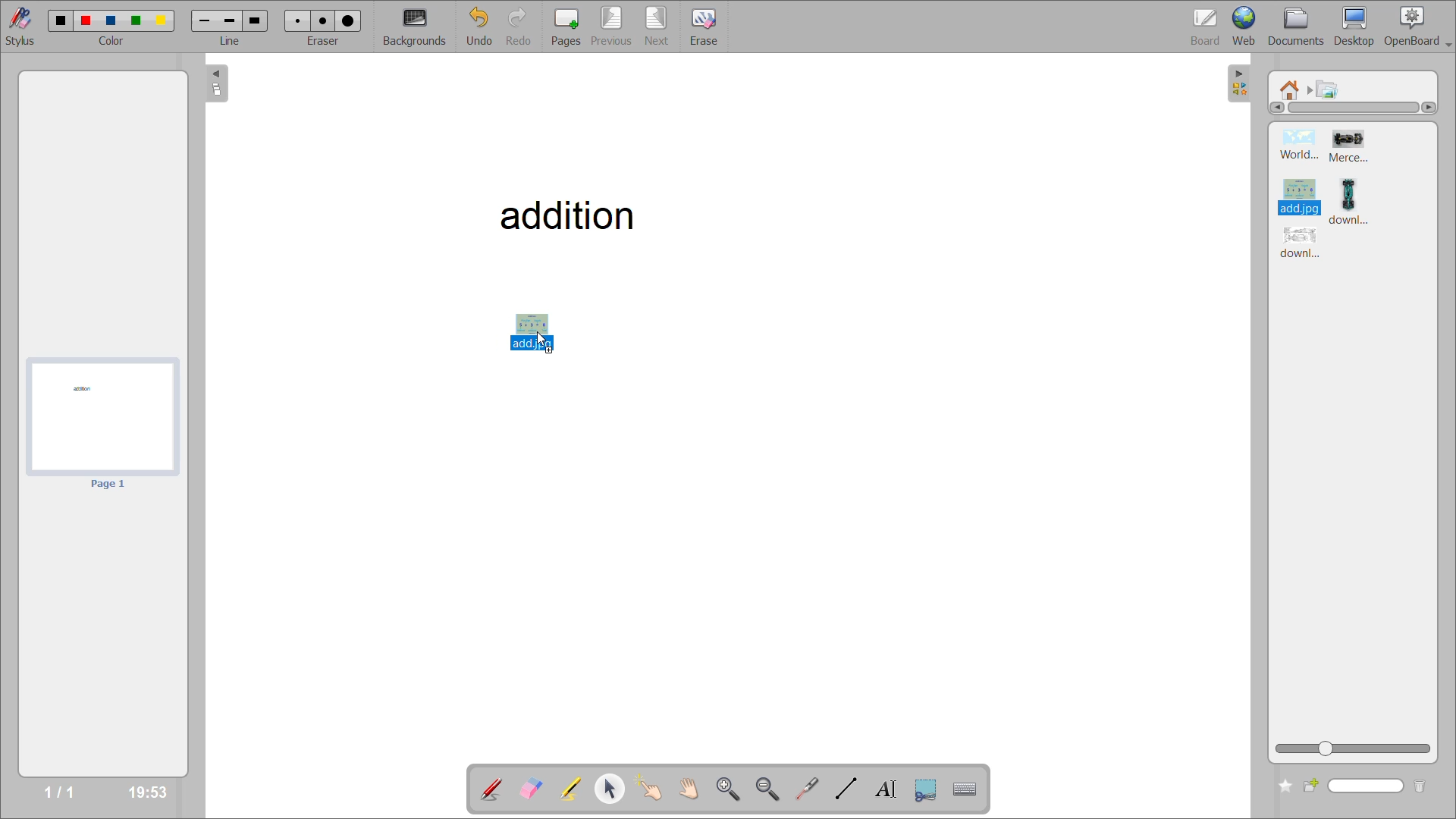 This screenshot has height=819, width=1456. What do you see at coordinates (349, 20) in the screenshot?
I see `eraser 3` at bounding box center [349, 20].